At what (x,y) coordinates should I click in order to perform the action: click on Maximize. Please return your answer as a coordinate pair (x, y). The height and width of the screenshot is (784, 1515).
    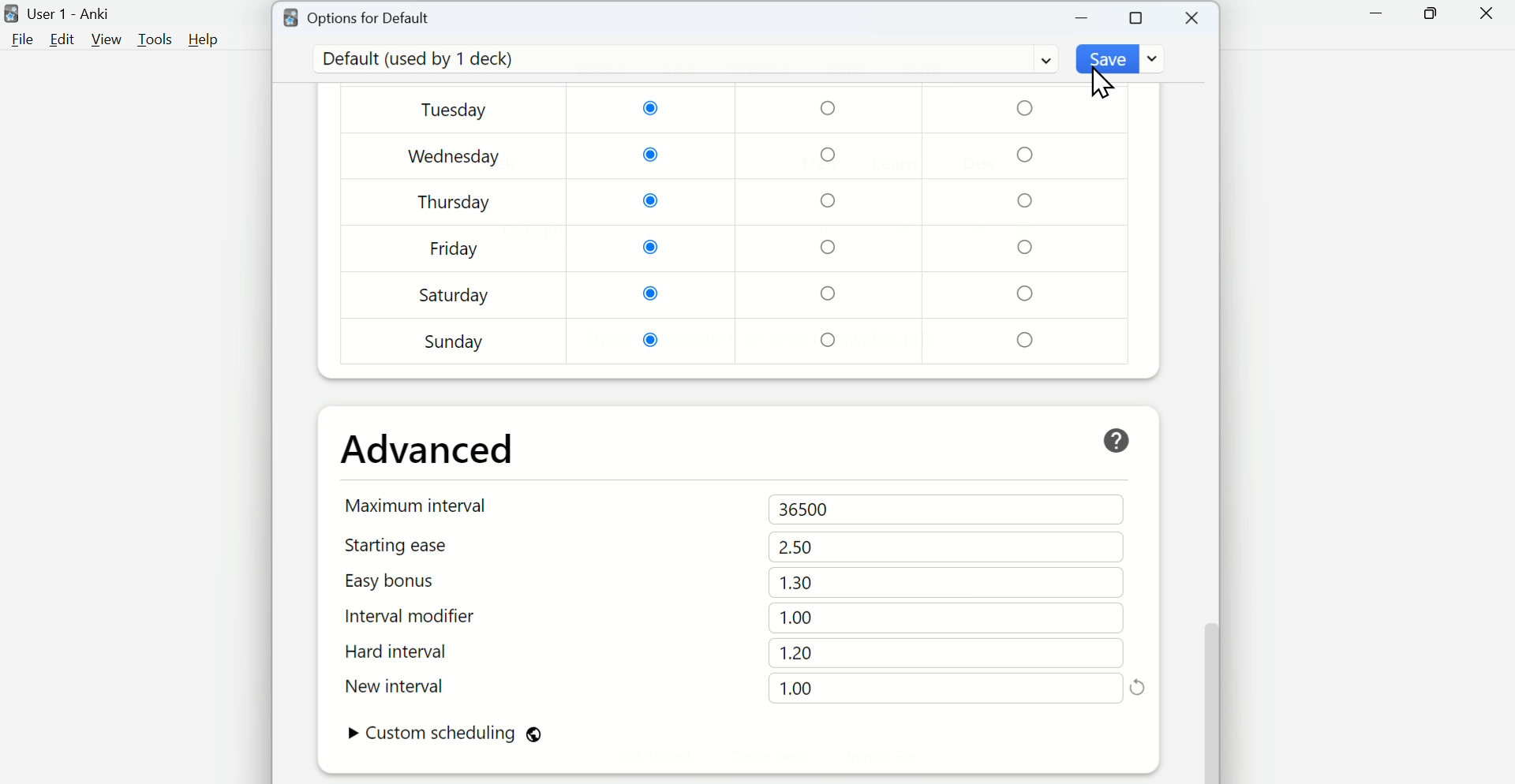
    Looking at the image, I should click on (1137, 17).